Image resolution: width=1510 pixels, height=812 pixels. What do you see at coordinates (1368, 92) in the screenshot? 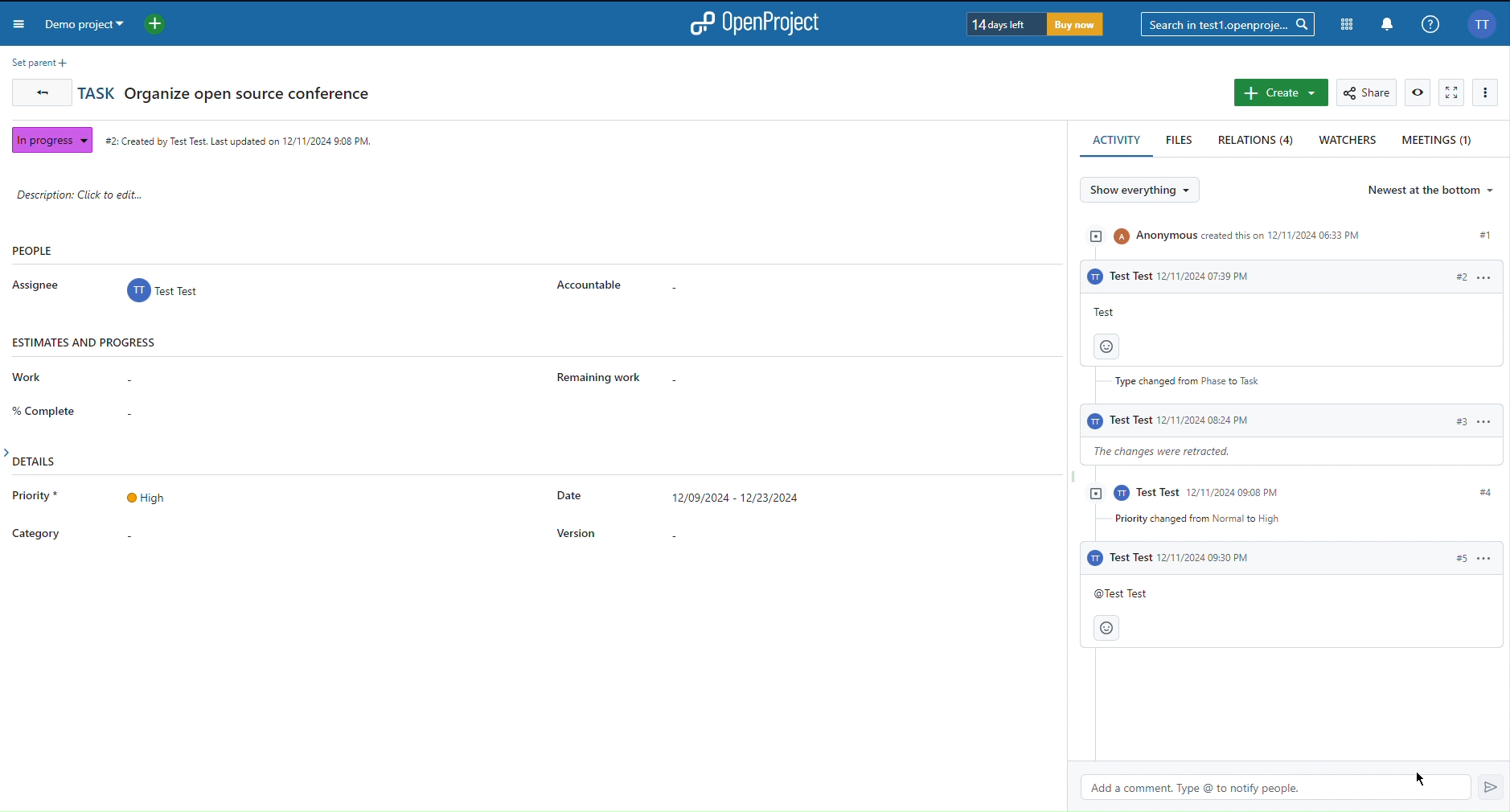
I see `Share` at bounding box center [1368, 92].